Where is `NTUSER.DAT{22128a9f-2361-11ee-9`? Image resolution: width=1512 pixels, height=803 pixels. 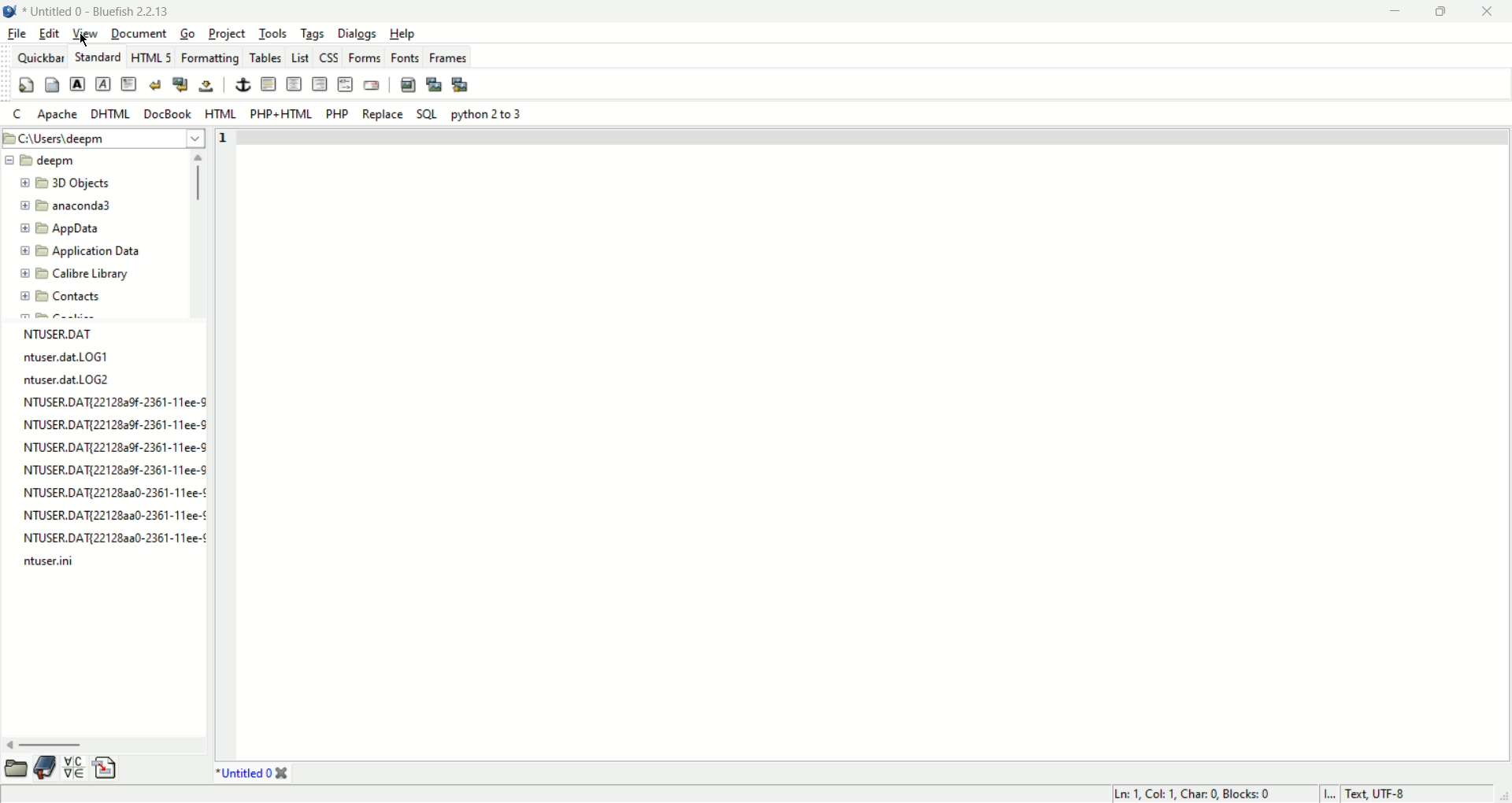
NTUSER.DAT{22128a9f-2361-11ee-9 is located at coordinates (114, 401).